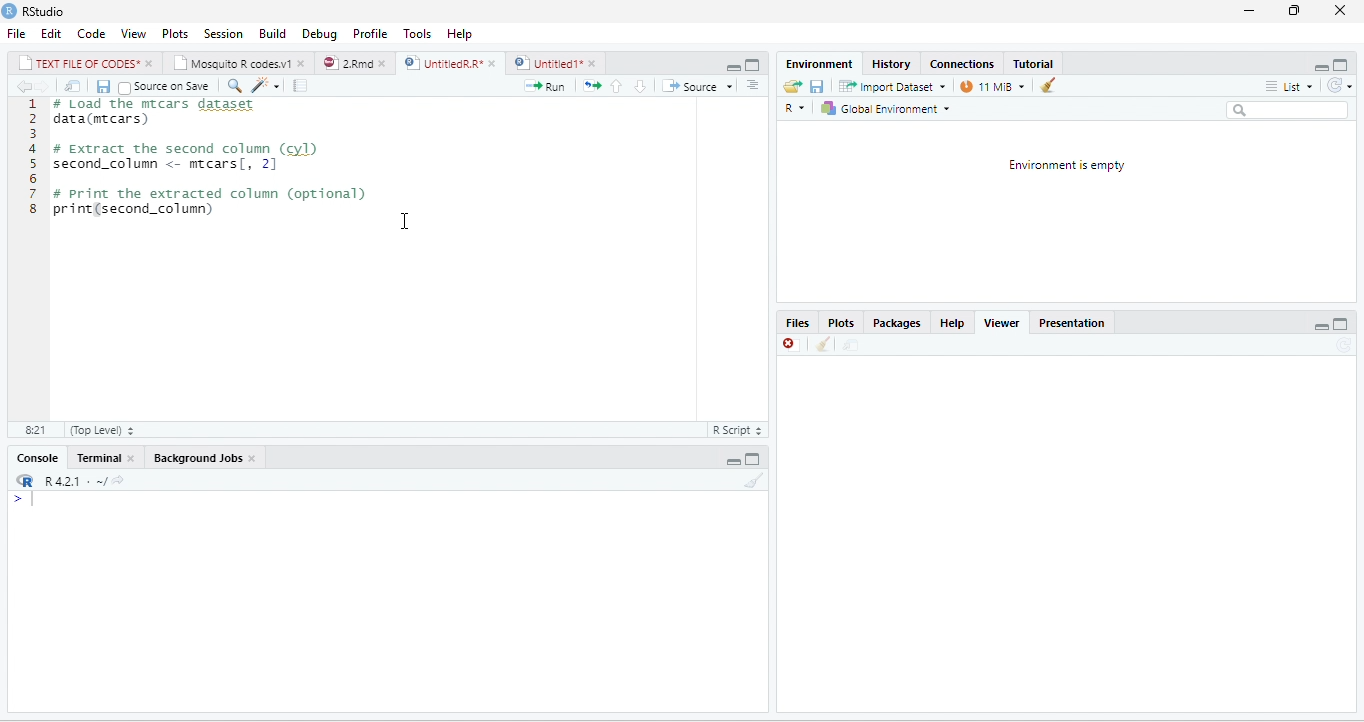 The height and width of the screenshot is (722, 1364). I want to click on cursor, so click(405, 220).